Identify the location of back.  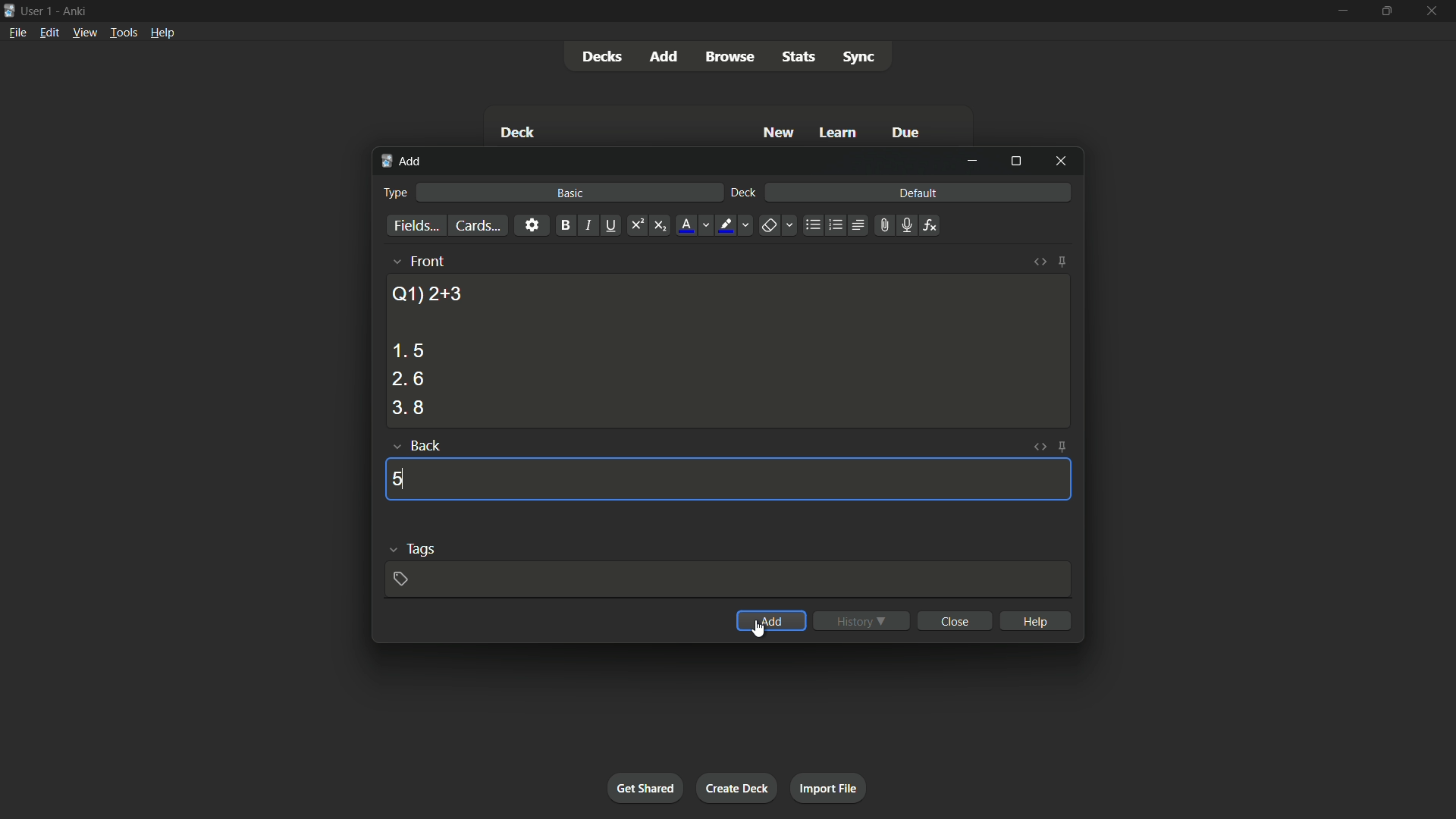
(425, 447).